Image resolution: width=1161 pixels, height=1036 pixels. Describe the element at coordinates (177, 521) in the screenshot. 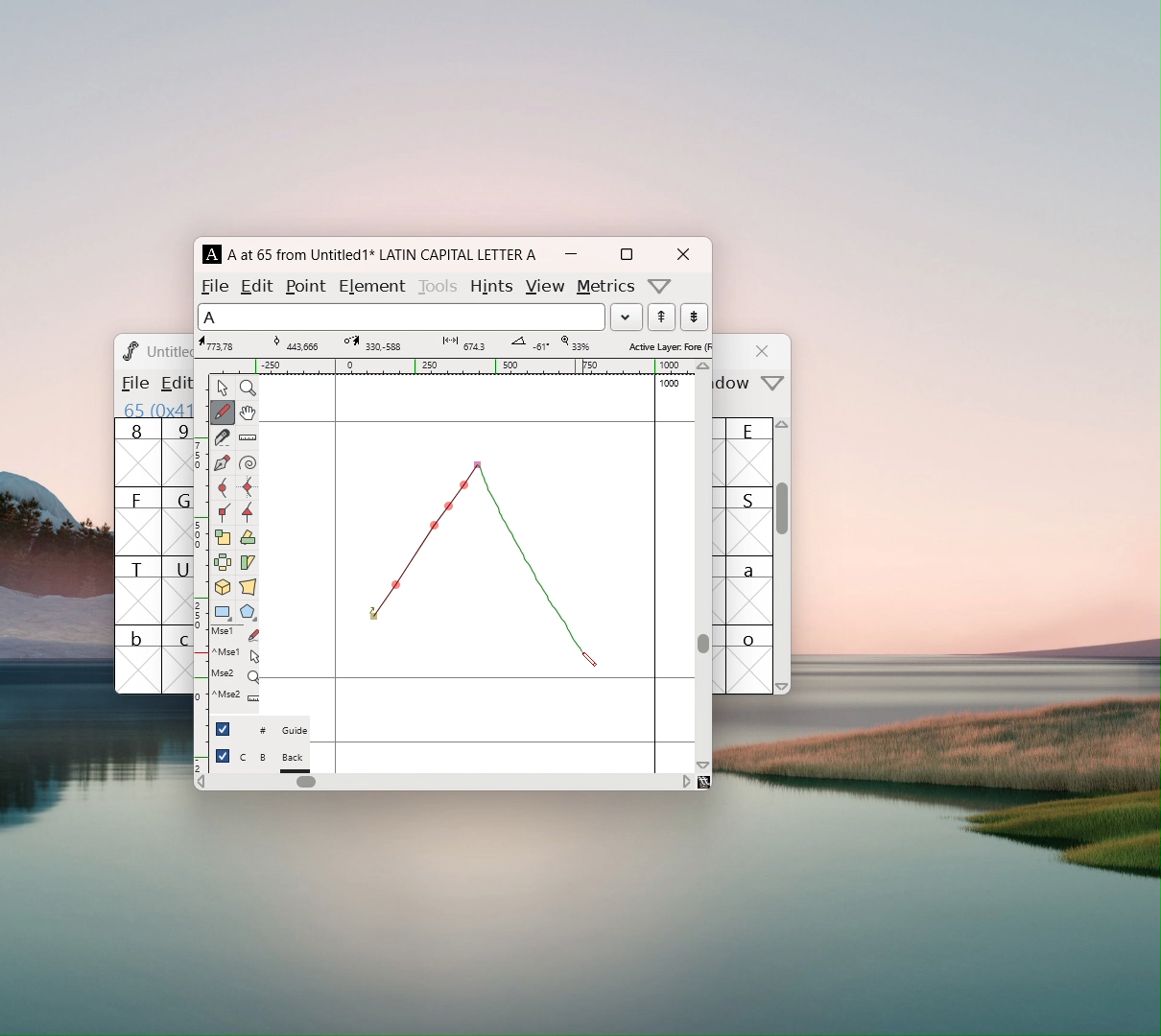

I see `G` at that location.